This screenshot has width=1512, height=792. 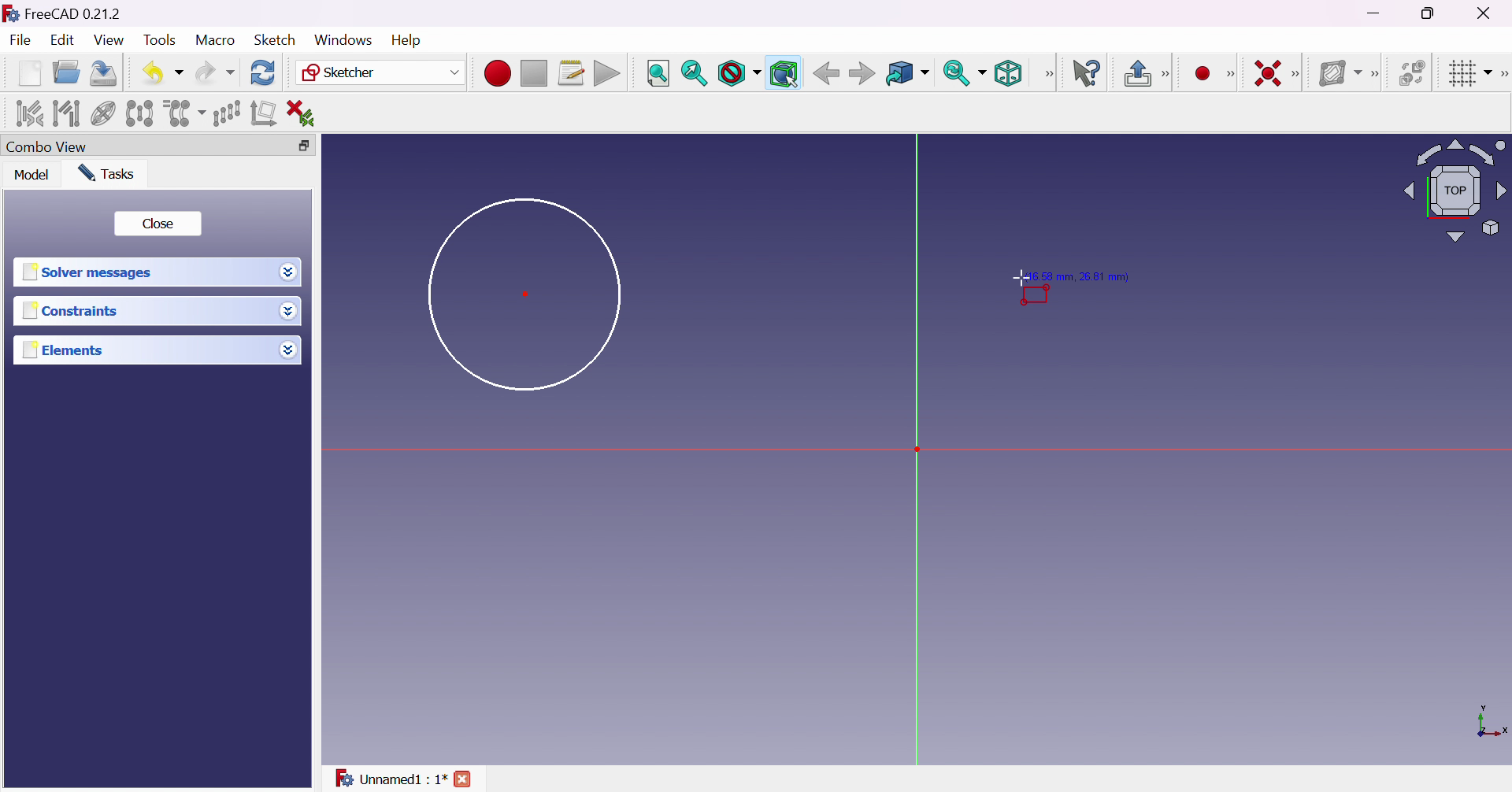 I want to click on close, so click(x=465, y=779).